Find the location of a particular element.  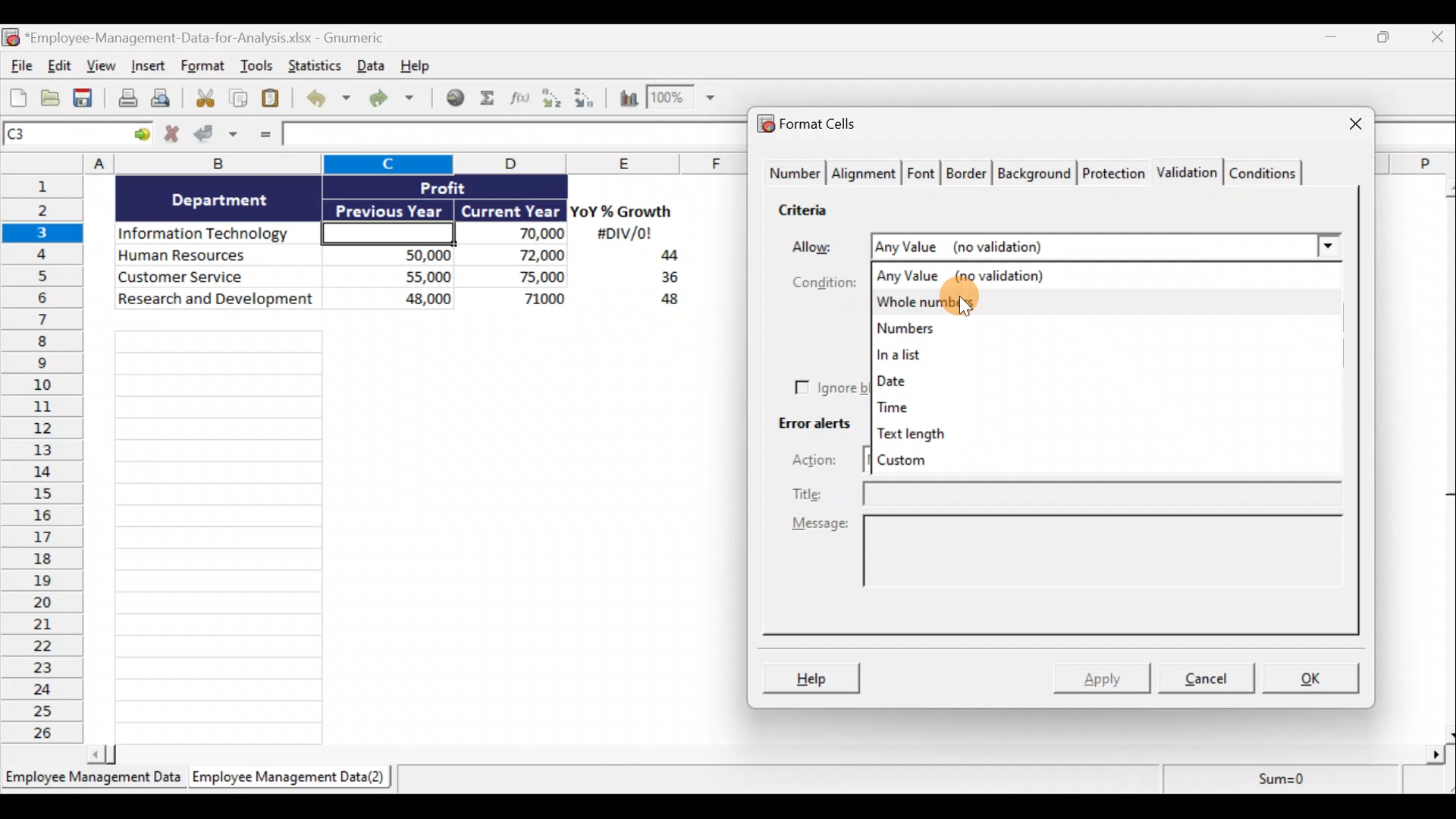

Sort ascending is located at coordinates (551, 98).